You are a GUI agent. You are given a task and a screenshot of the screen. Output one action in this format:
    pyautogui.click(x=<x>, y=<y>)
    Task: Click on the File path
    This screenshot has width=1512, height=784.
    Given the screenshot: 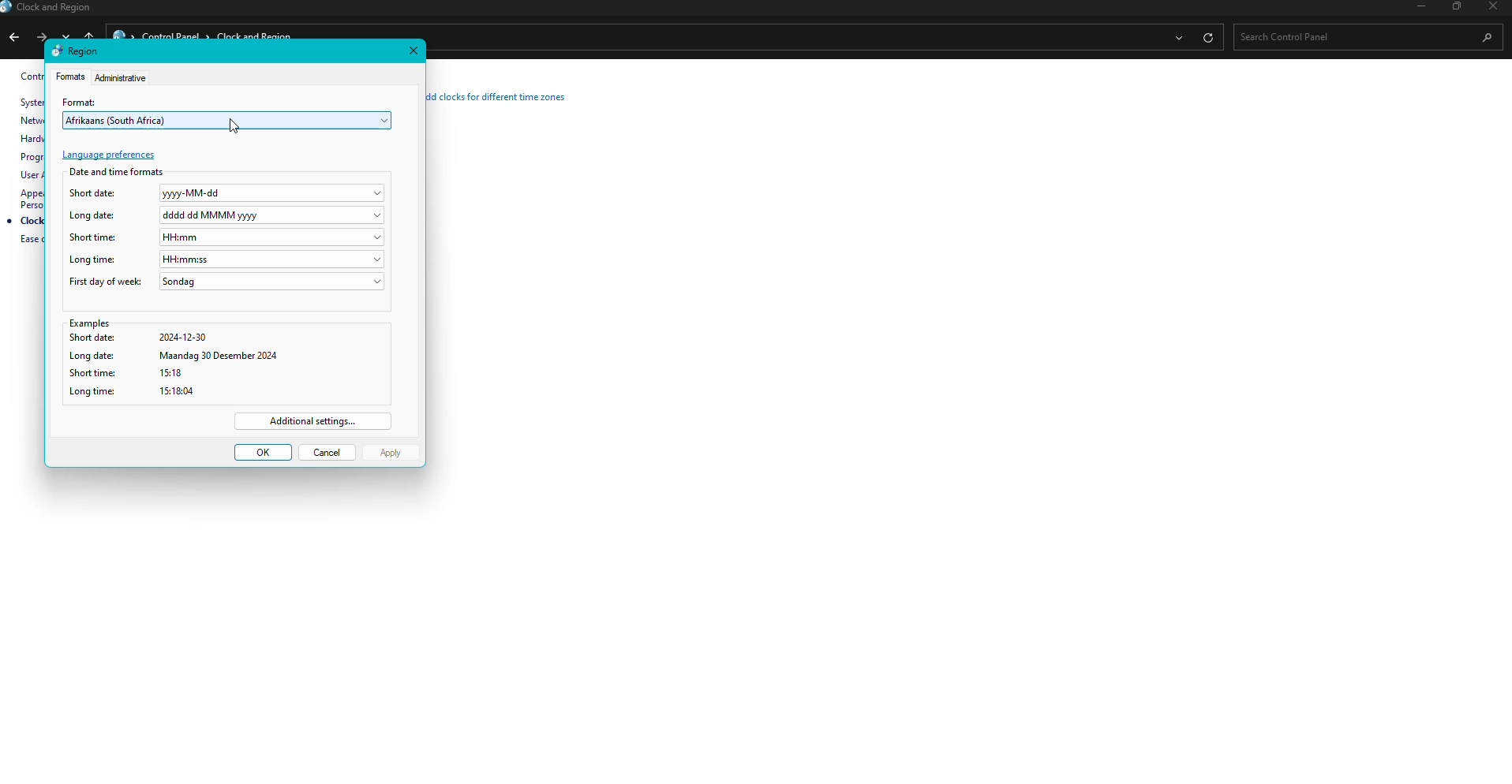 What is the action you would take?
    pyautogui.click(x=790, y=37)
    